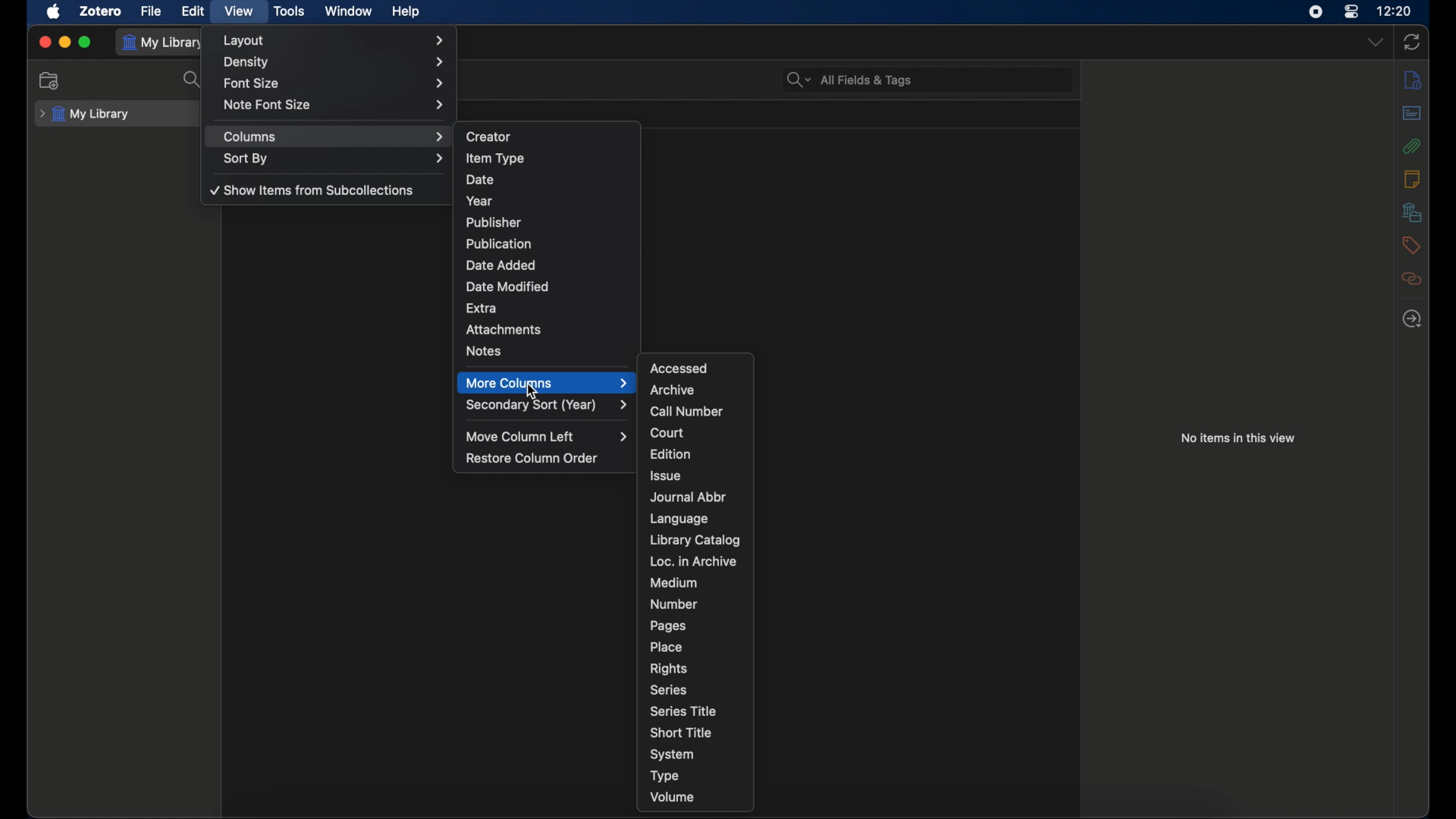 This screenshot has height=819, width=1456. Describe the element at coordinates (665, 475) in the screenshot. I see `issue` at that location.